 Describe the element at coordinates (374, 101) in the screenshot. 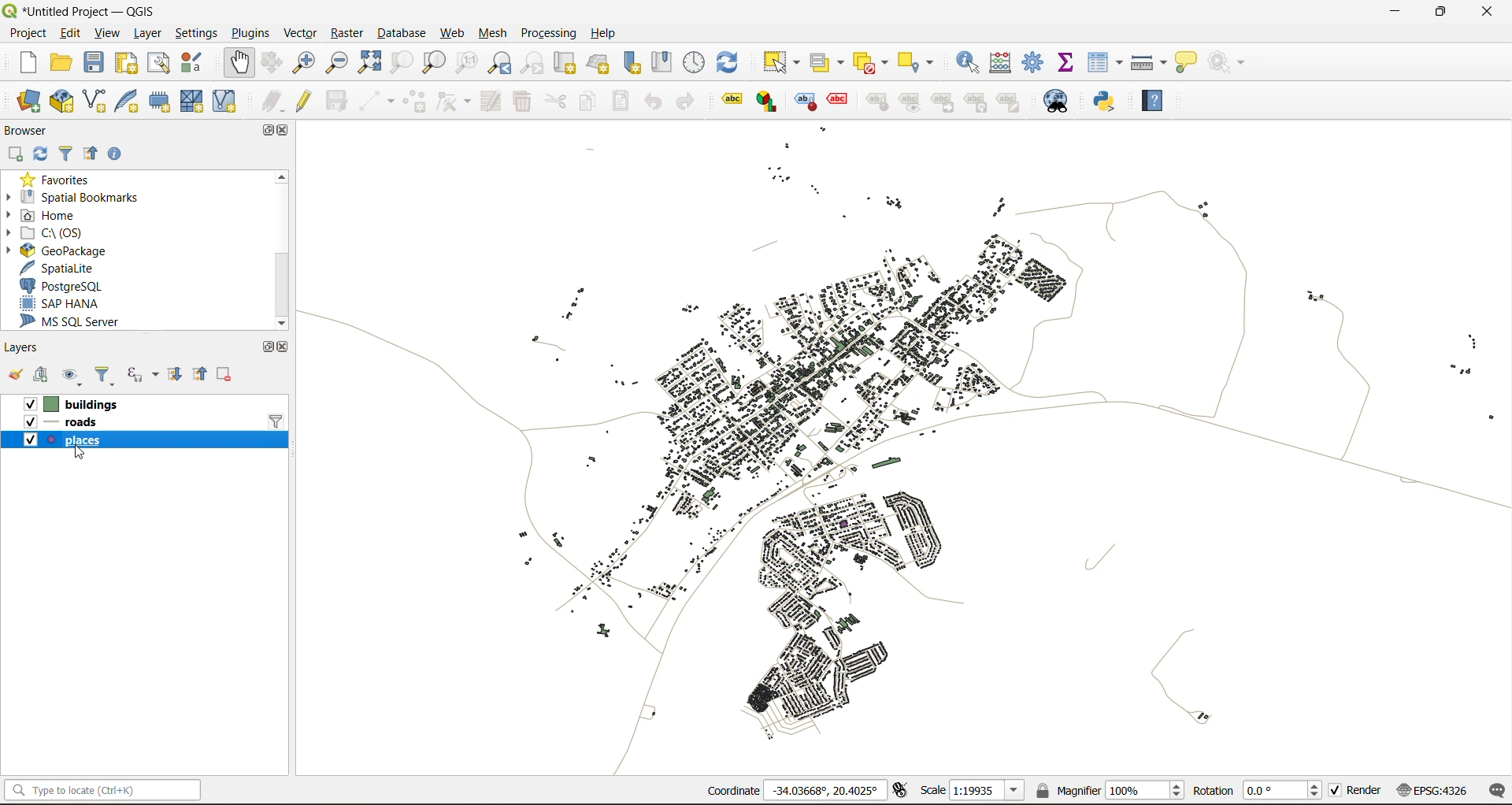

I see `digitize` at that location.